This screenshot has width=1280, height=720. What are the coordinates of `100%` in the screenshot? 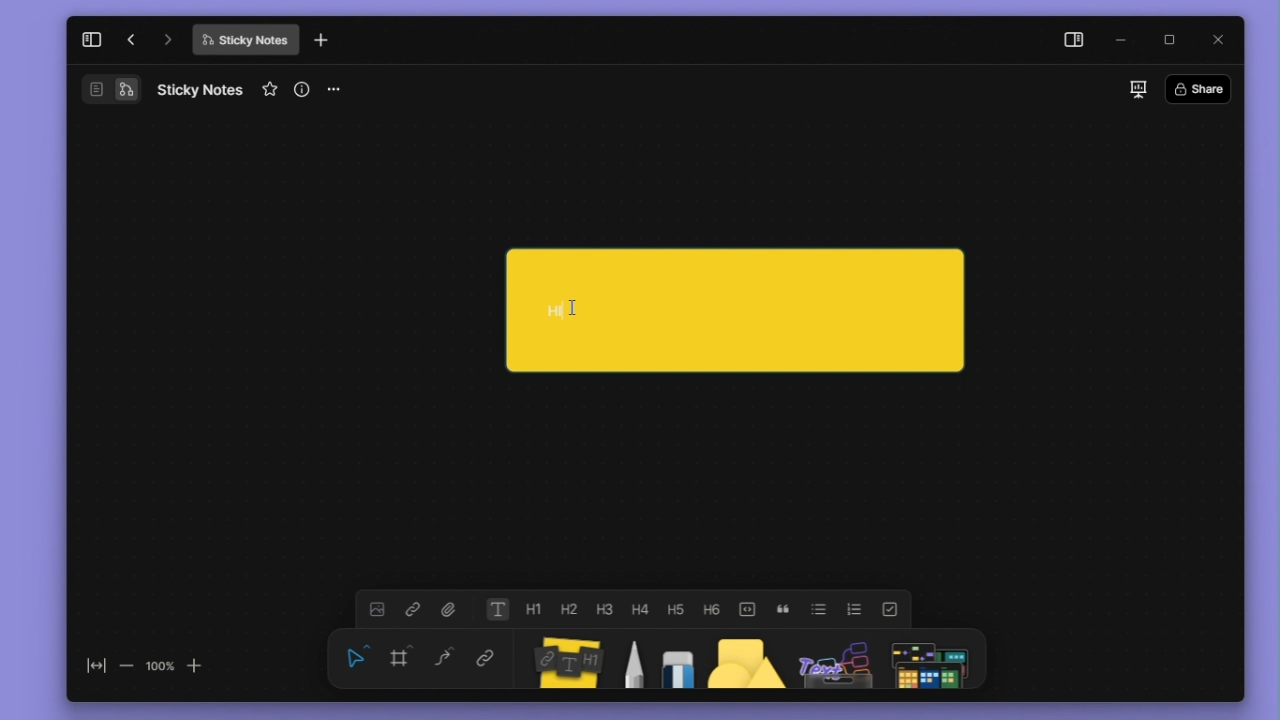 It's located at (161, 662).